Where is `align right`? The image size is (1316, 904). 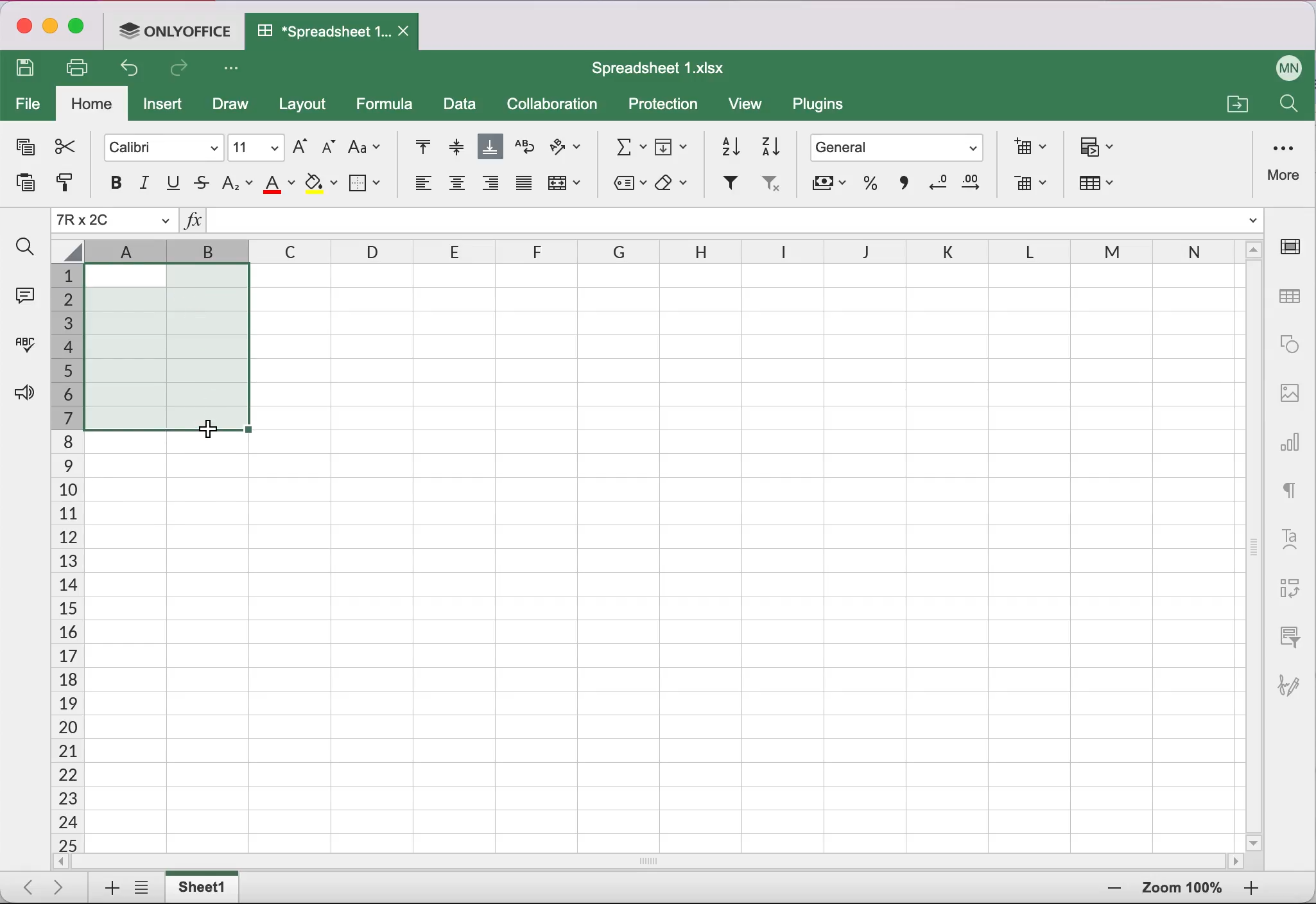 align right is located at coordinates (491, 187).